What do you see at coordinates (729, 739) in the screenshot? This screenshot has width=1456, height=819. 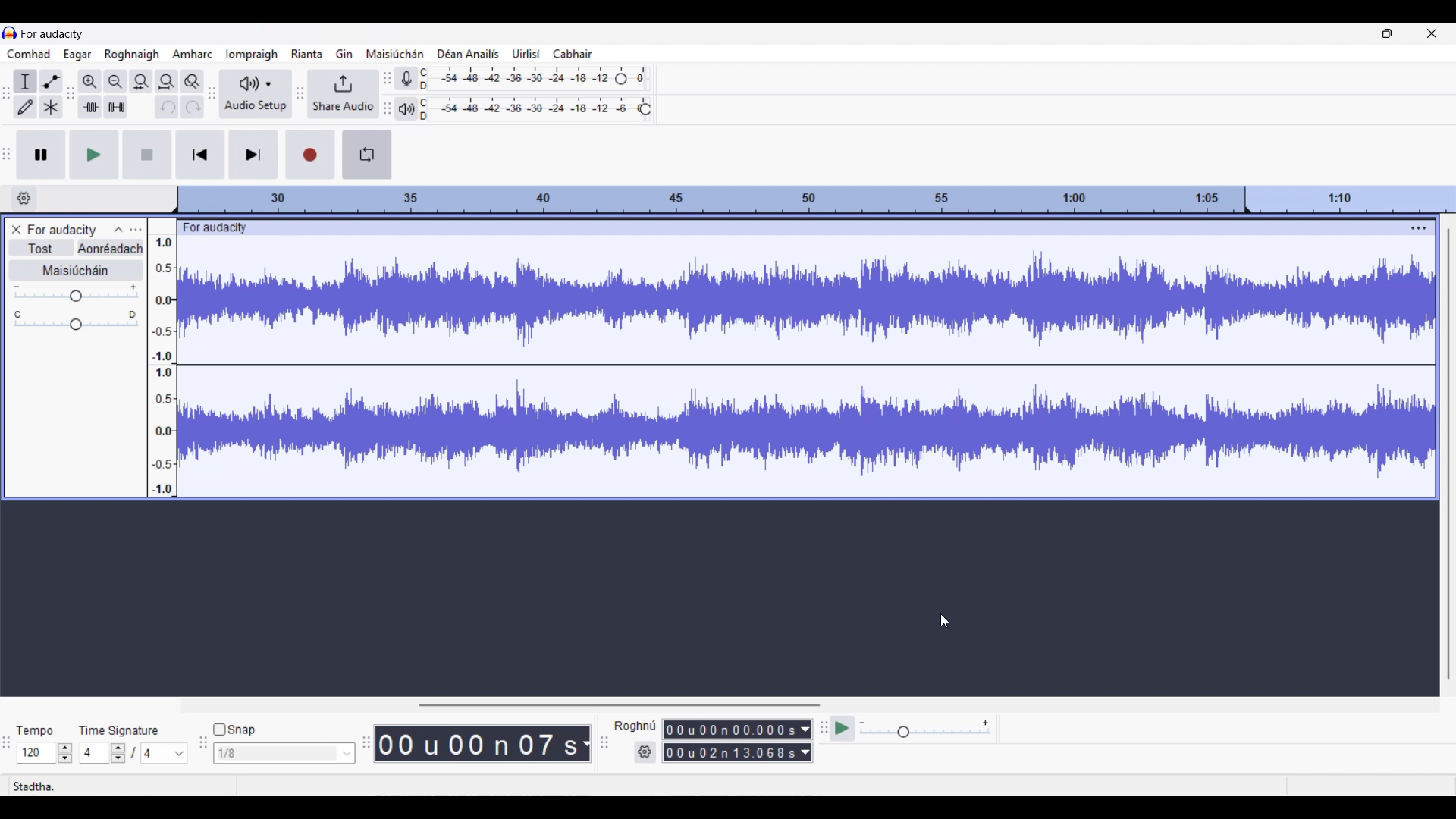 I see `Duration` at bounding box center [729, 739].